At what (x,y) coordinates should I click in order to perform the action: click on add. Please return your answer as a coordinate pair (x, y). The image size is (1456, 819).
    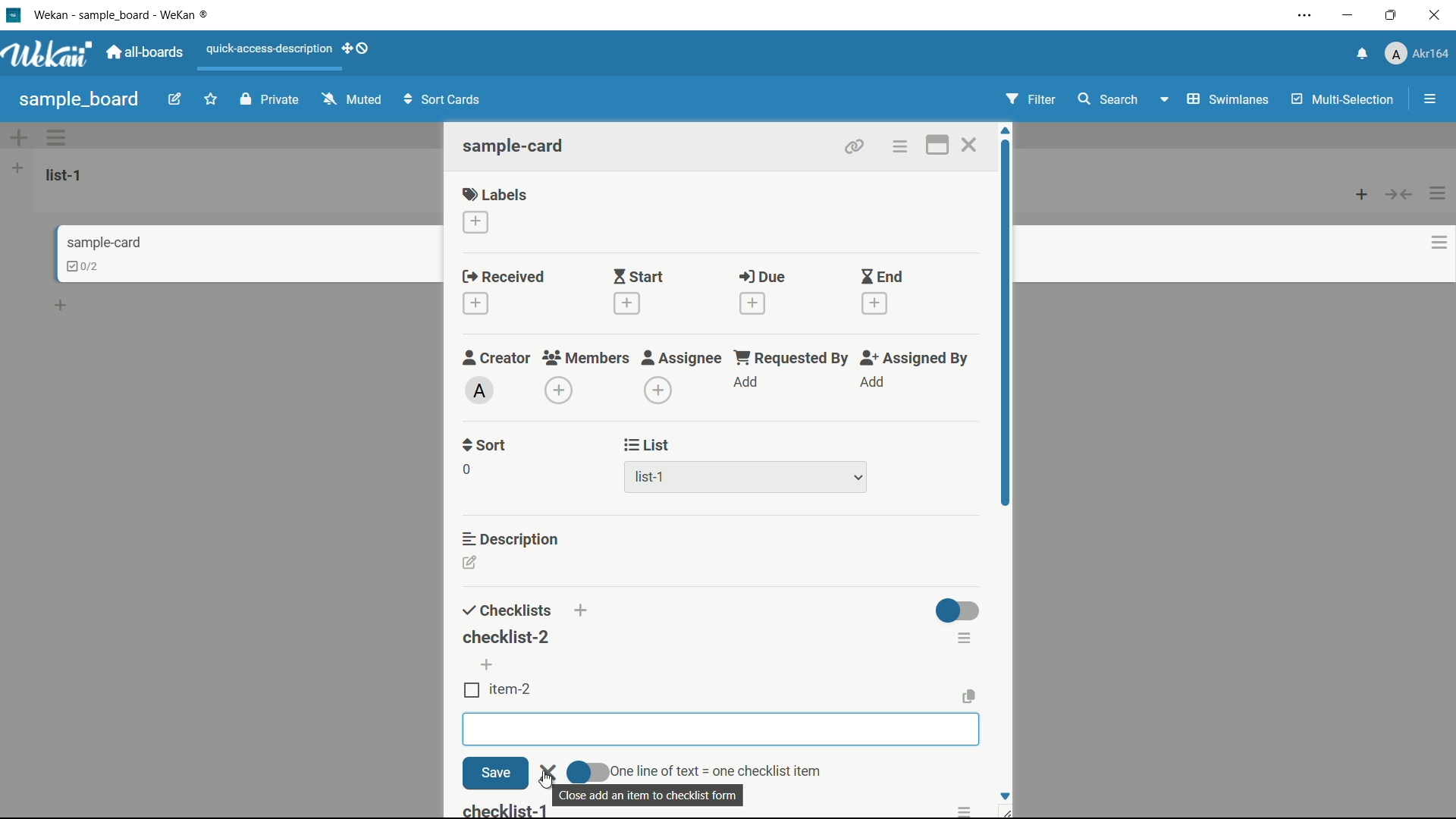
    Looking at the image, I should click on (747, 383).